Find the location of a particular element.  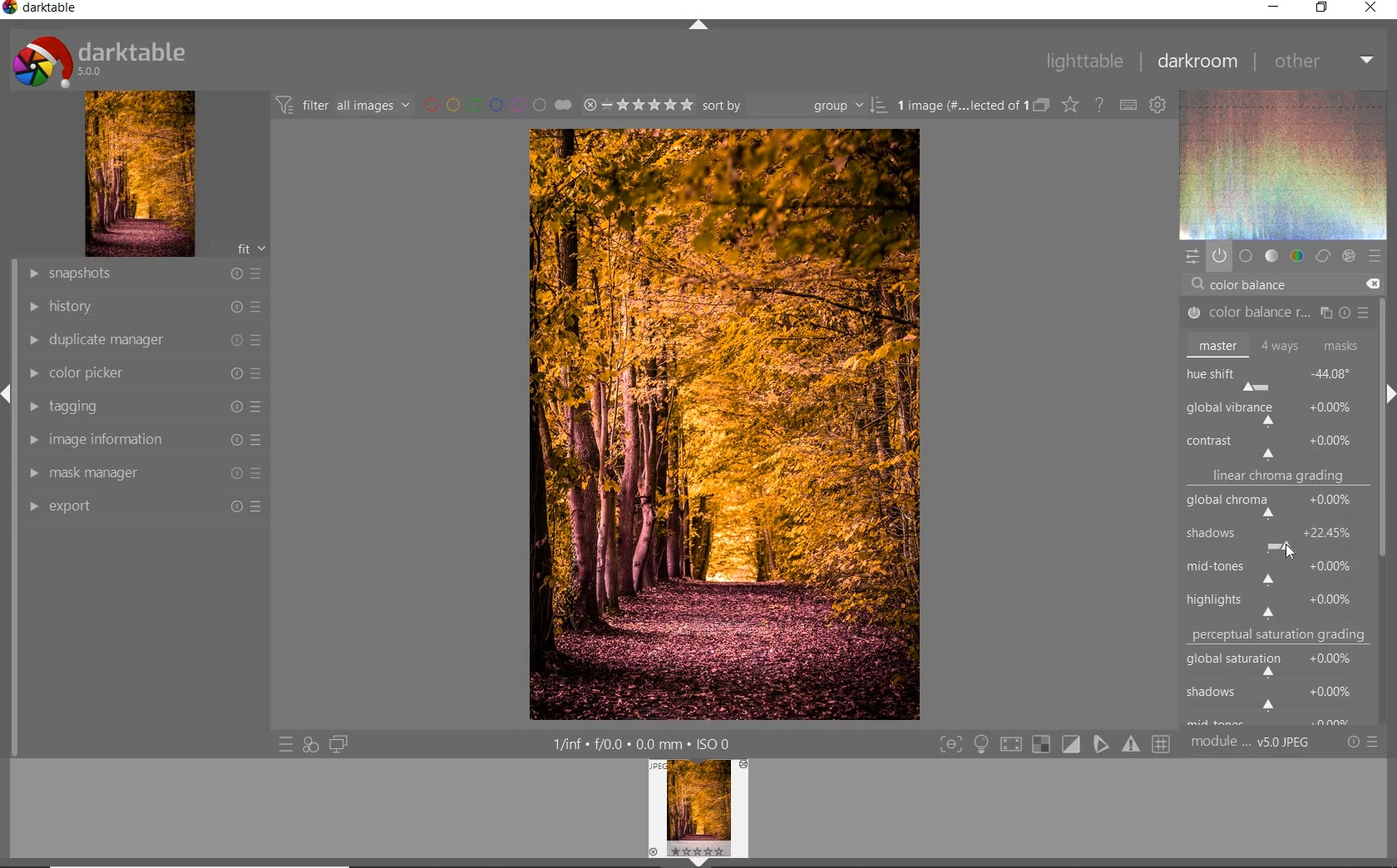

collapse grouped image is located at coordinates (1041, 106).